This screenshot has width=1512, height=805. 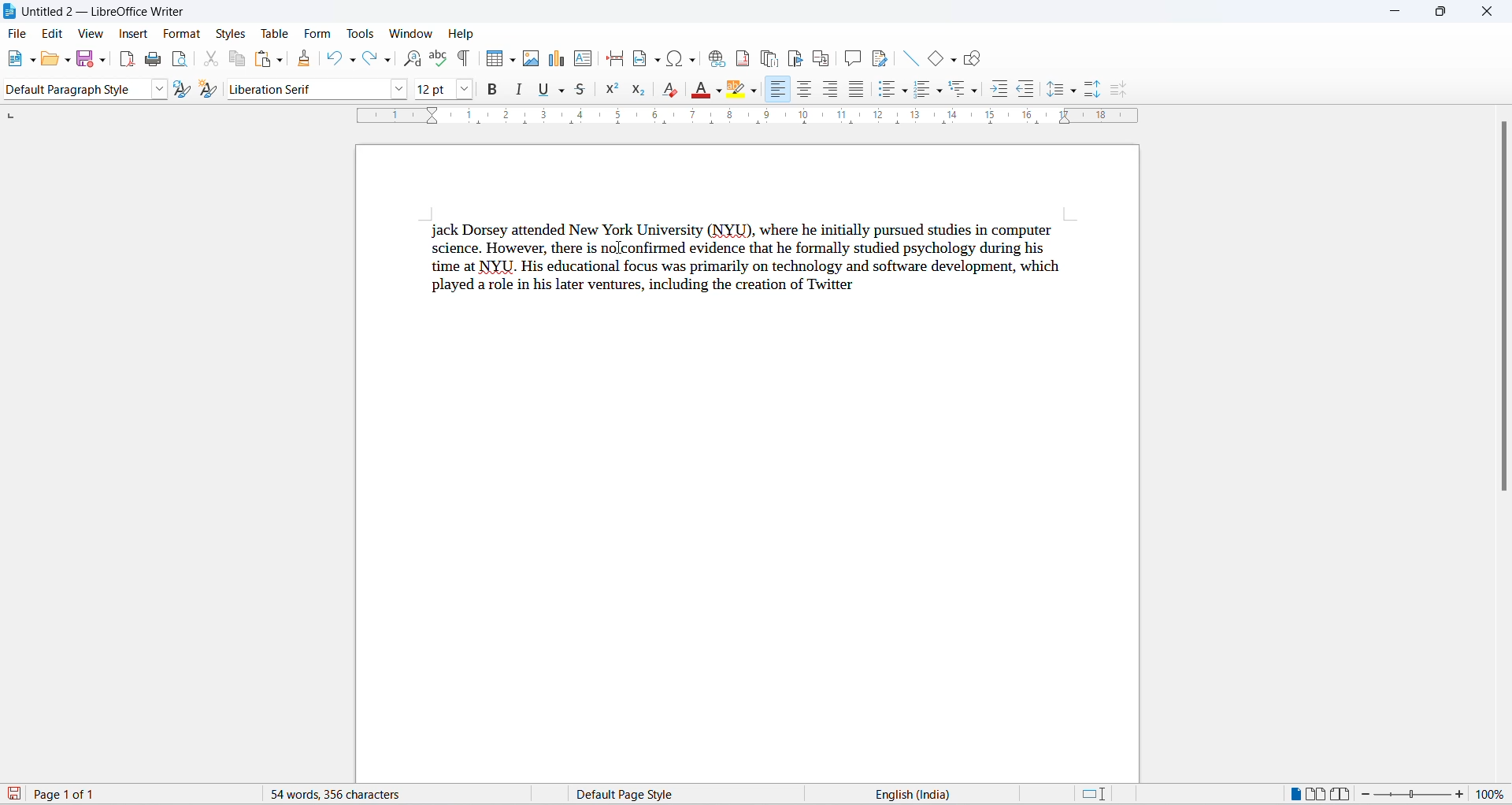 What do you see at coordinates (208, 90) in the screenshot?
I see `new style from selection` at bounding box center [208, 90].